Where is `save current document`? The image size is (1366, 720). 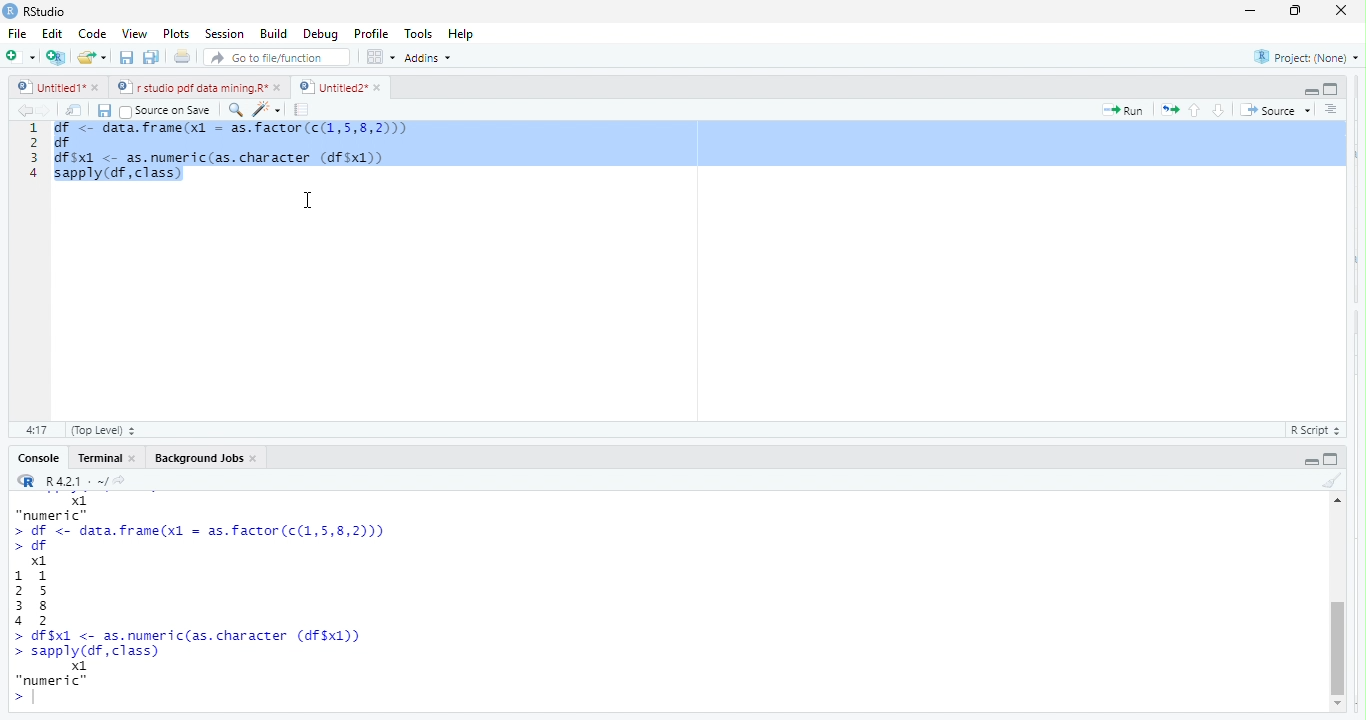 save current document is located at coordinates (105, 111).